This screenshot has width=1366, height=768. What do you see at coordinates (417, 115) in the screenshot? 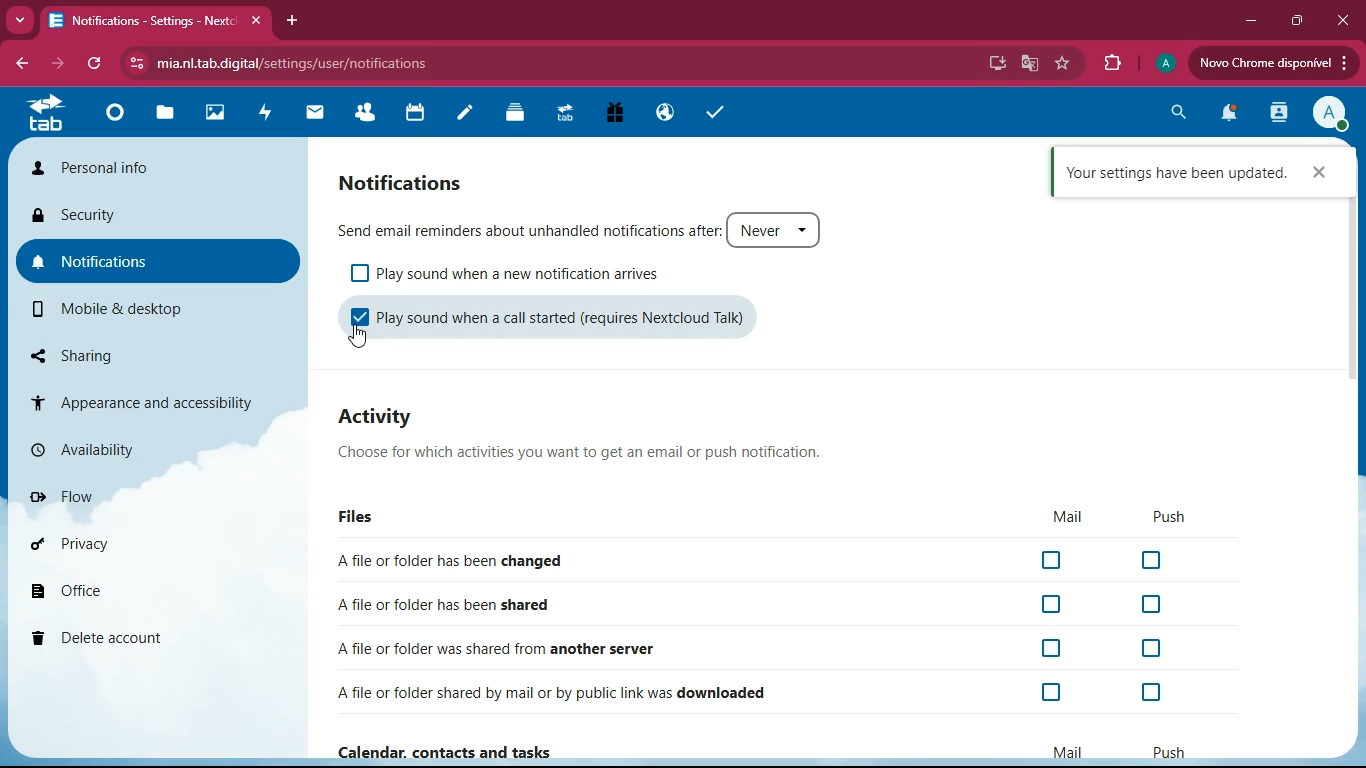
I see `calendar` at bounding box center [417, 115].